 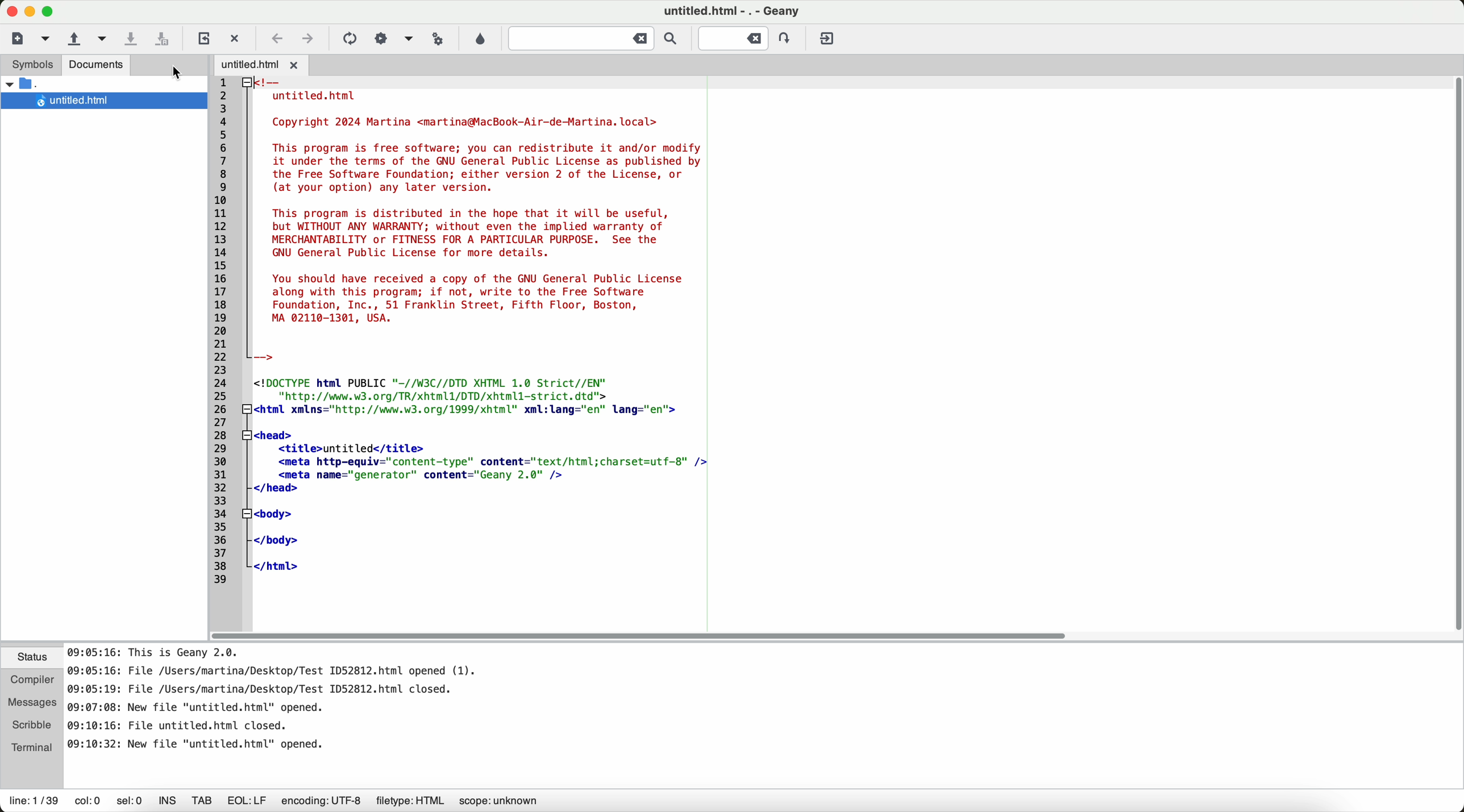 I want to click on sidebar, so click(x=105, y=380).